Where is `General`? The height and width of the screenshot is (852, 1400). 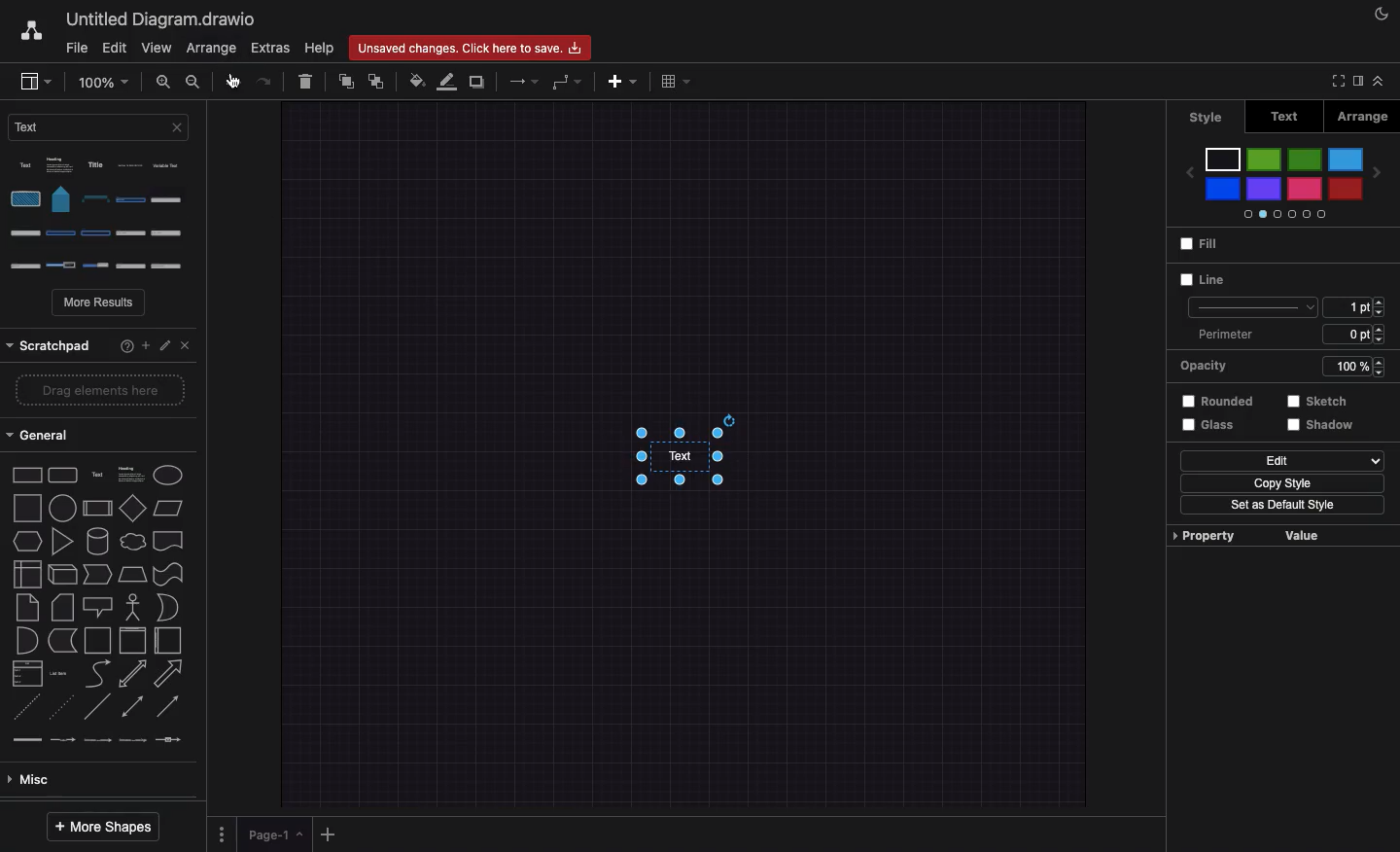
General is located at coordinates (46, 436).